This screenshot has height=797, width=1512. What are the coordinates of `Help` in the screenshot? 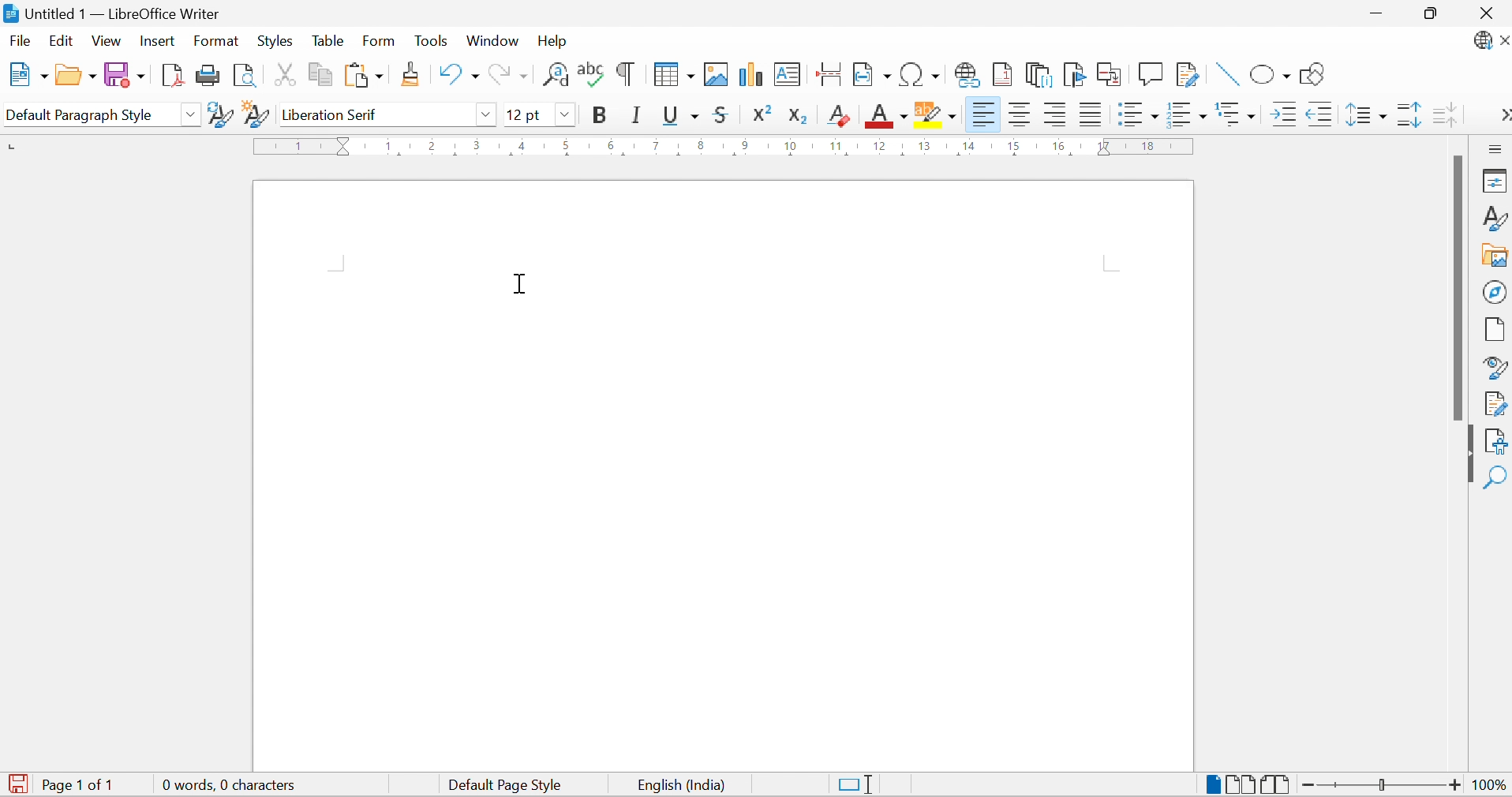 It's located at (556, 40).